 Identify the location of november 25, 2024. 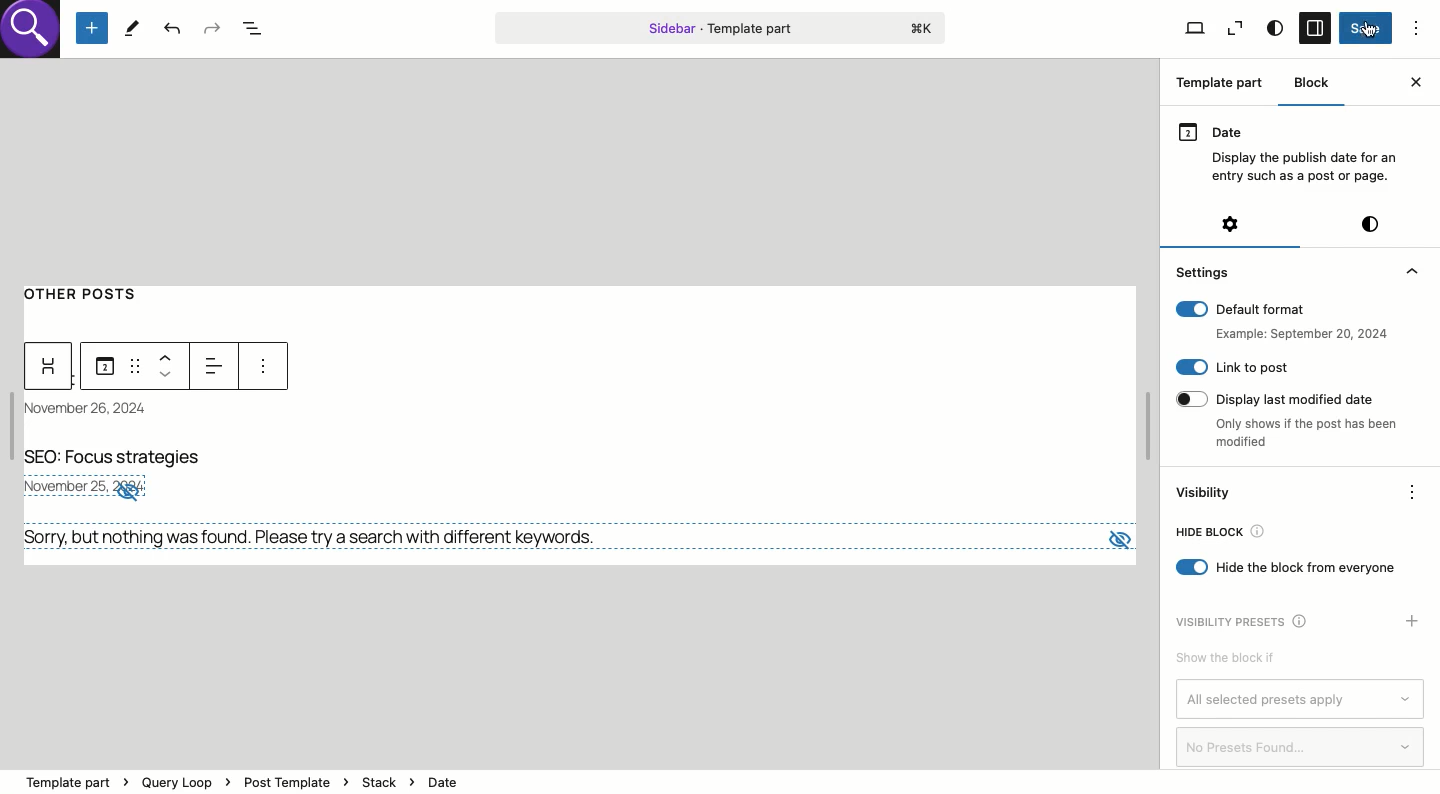
(63, 487).